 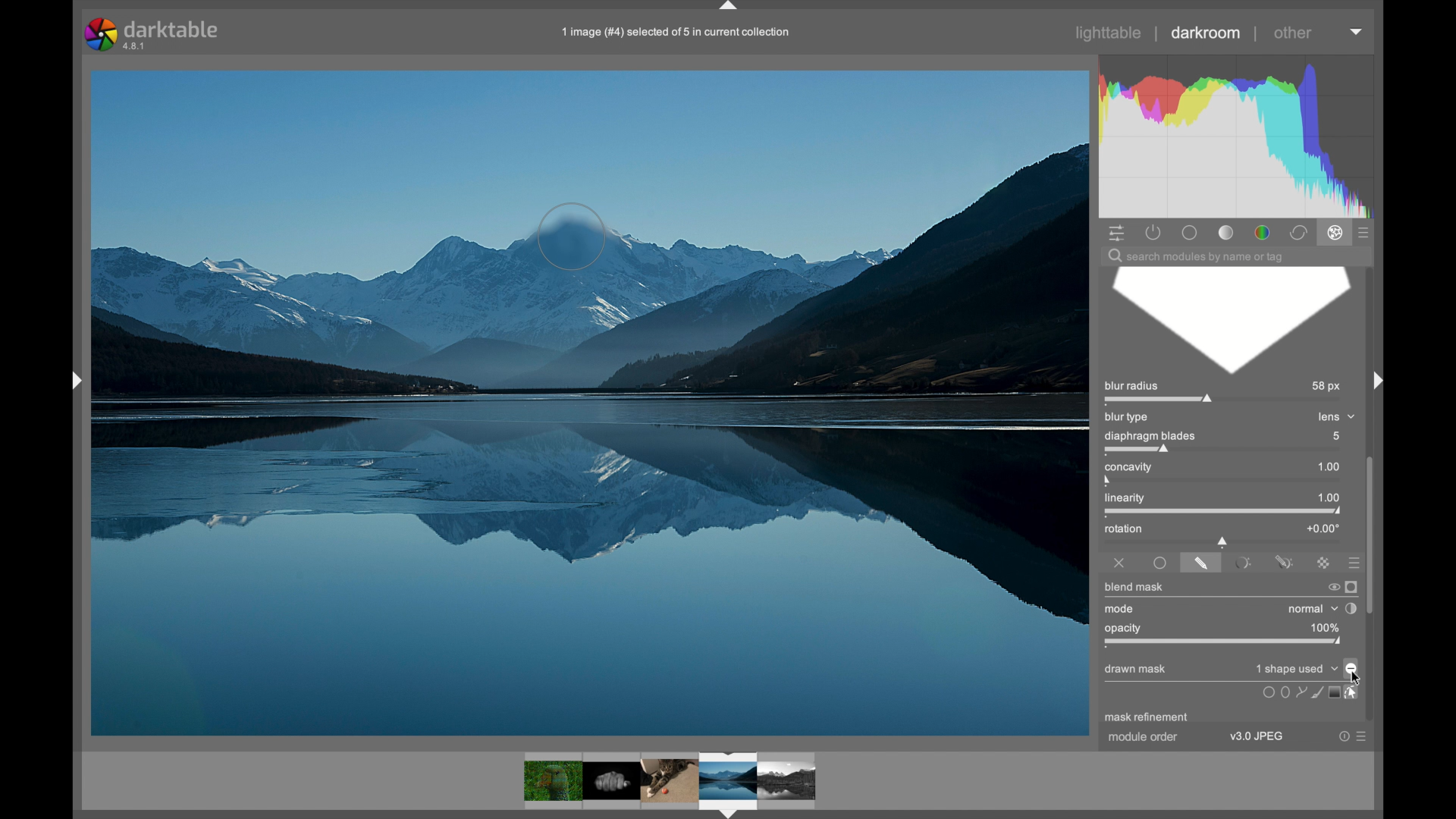 I want to click on drawn mask, so click(x=1137, y=670).